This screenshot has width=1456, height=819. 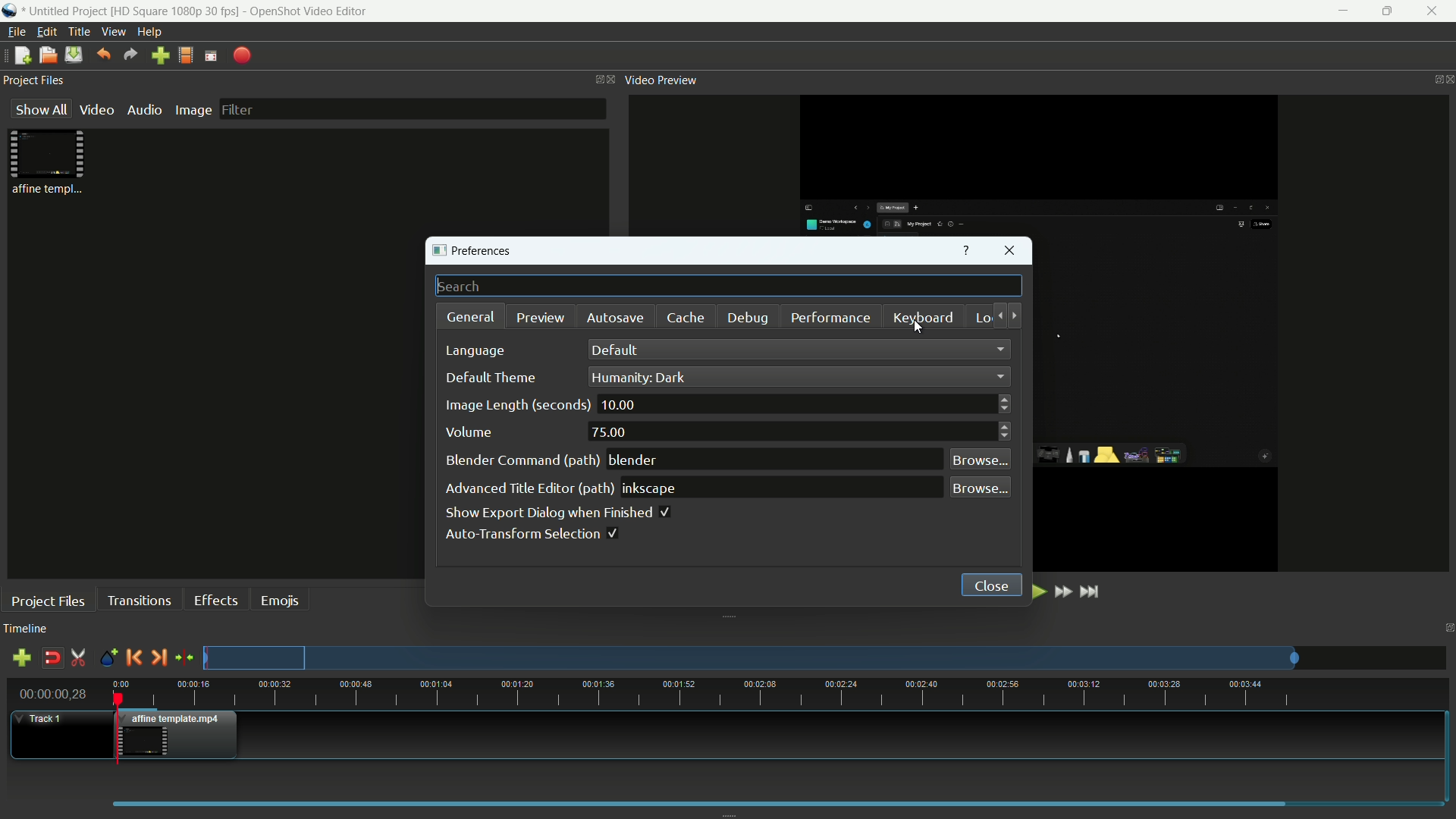 I want to click on app icon, so click(x=11, y=12).